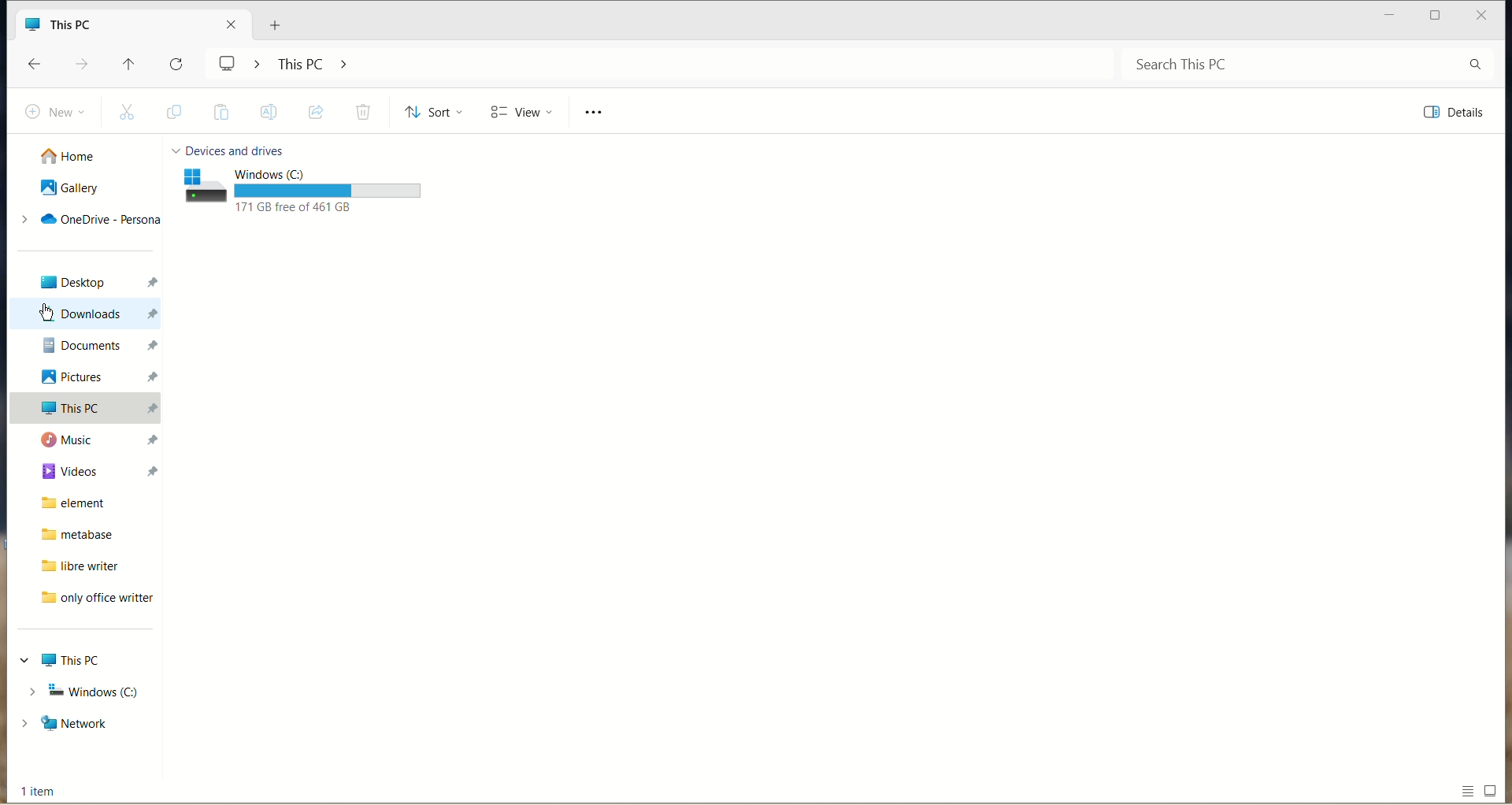 This screenshot has width=1512, height=805. I want to click on more options, so click(602, 114).